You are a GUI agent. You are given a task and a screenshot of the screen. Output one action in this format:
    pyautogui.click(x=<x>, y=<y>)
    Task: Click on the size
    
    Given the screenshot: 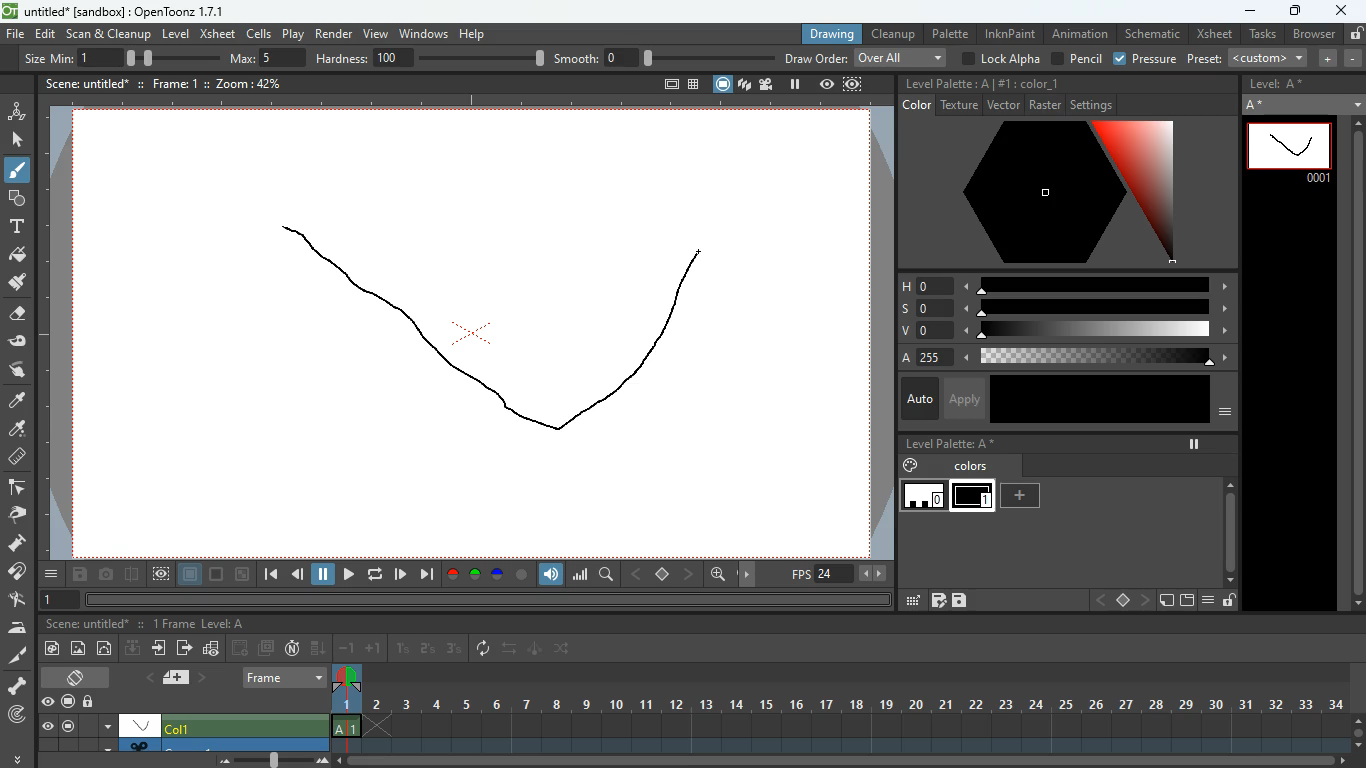 What is the action you would take?
    pyautogui.click(x=243, y=575)
    